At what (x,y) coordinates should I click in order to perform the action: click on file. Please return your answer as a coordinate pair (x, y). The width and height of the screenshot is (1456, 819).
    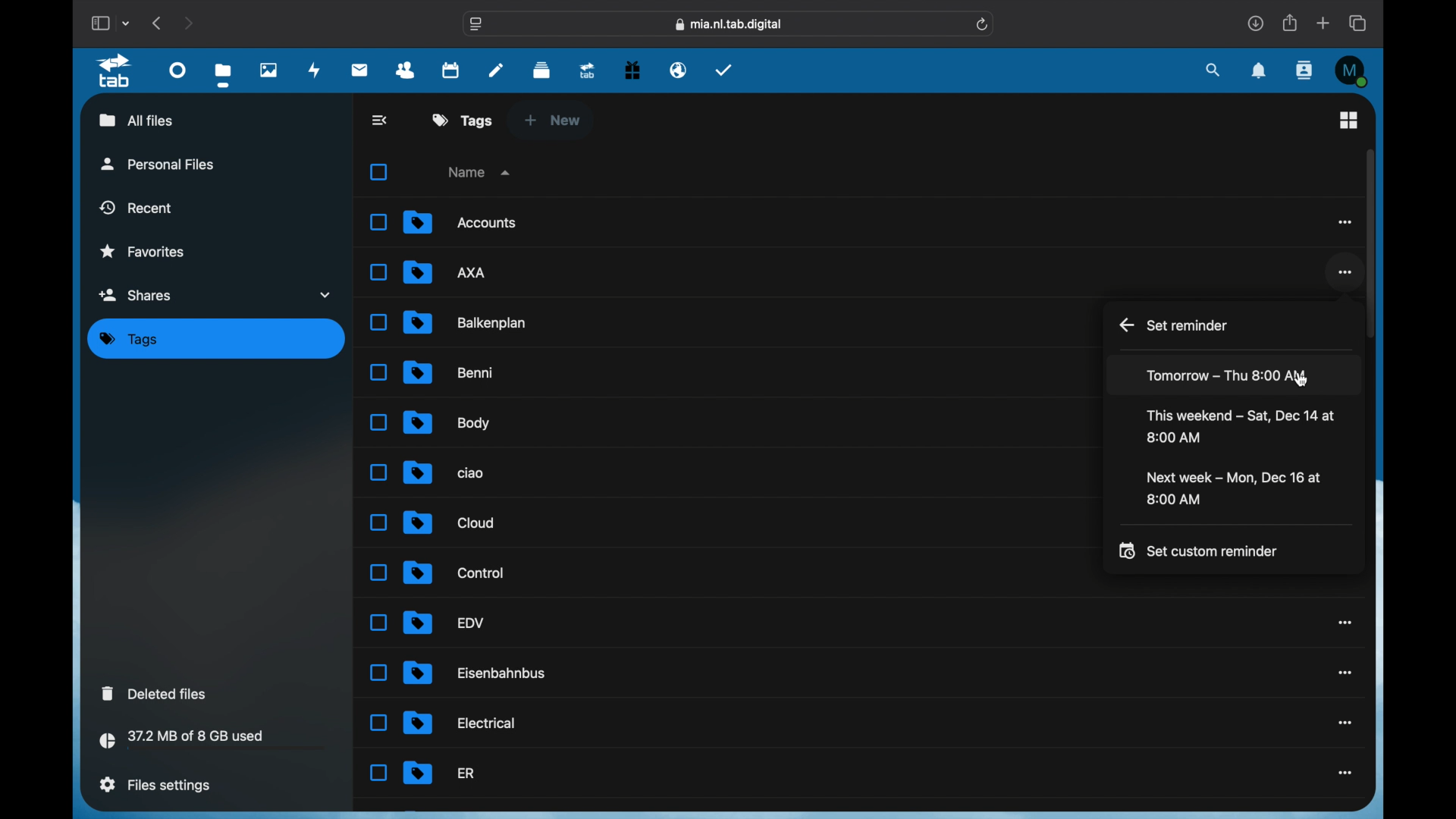
    Looking at the image, I should click on (447, 272).